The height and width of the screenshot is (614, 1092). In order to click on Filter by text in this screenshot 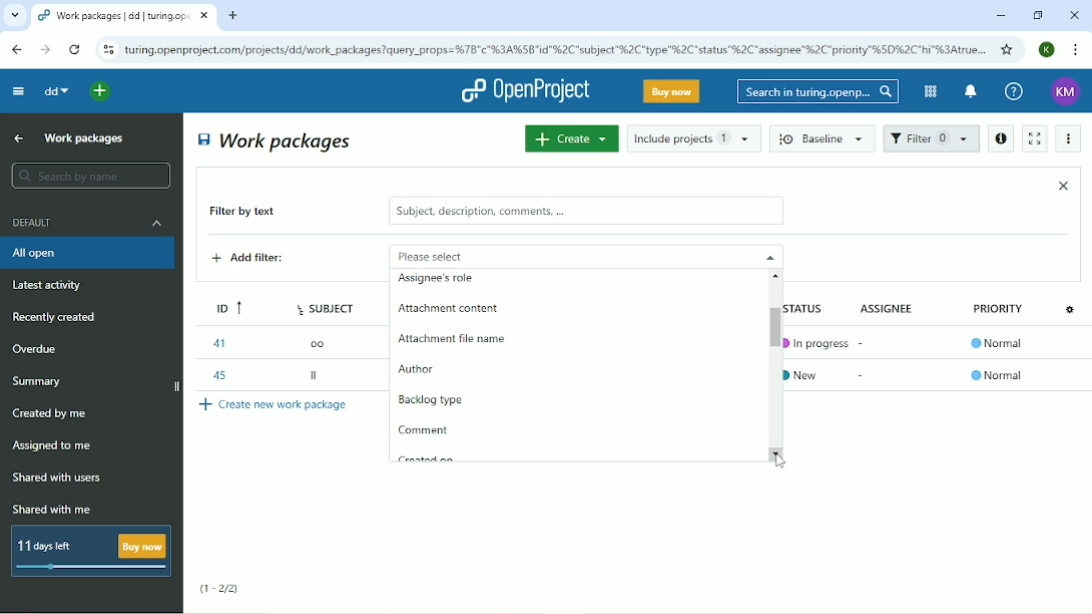, I will do `click(257, 213)`.